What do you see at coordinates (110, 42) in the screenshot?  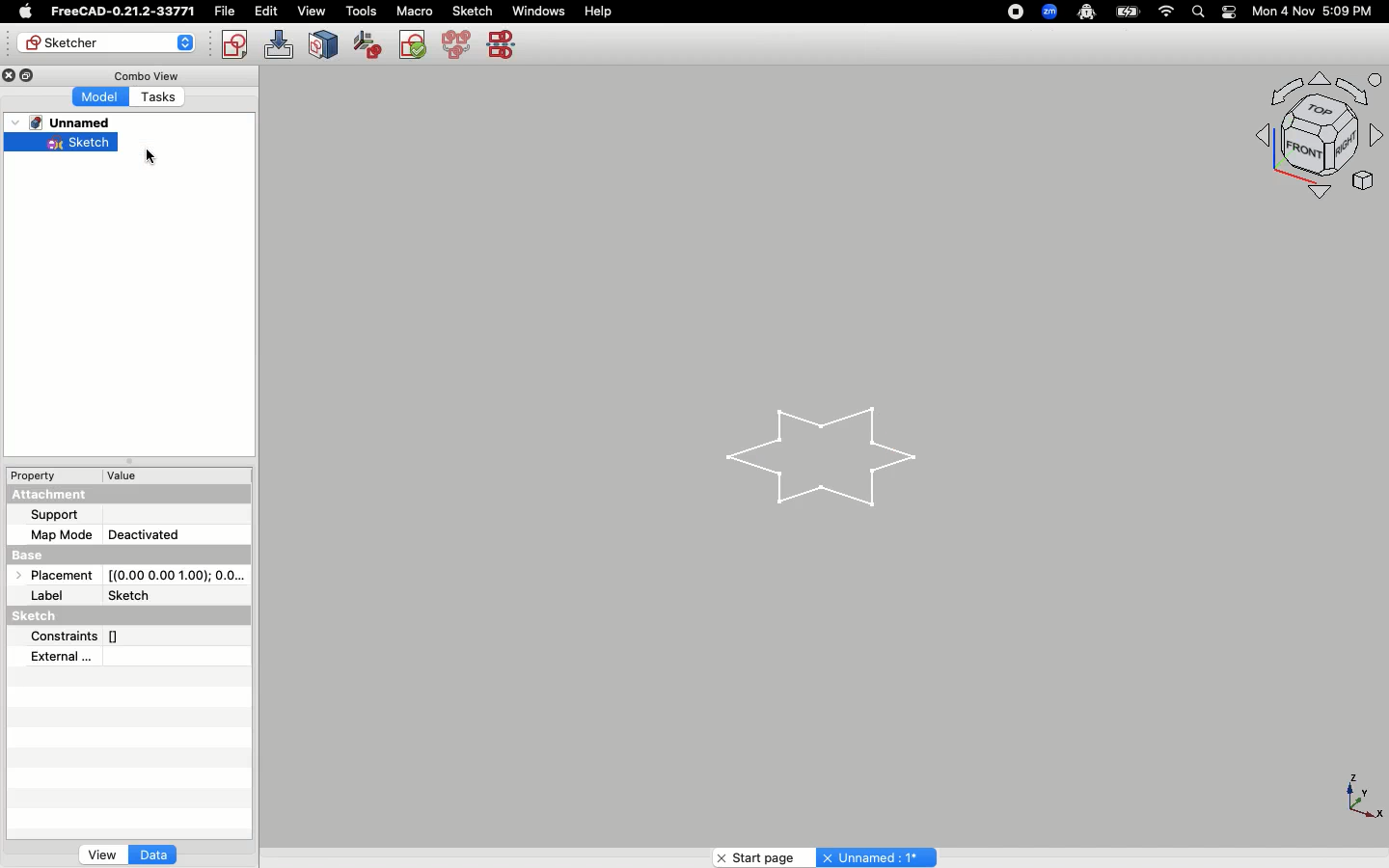 I see `Sketcher` at bounding box center [110, 42].